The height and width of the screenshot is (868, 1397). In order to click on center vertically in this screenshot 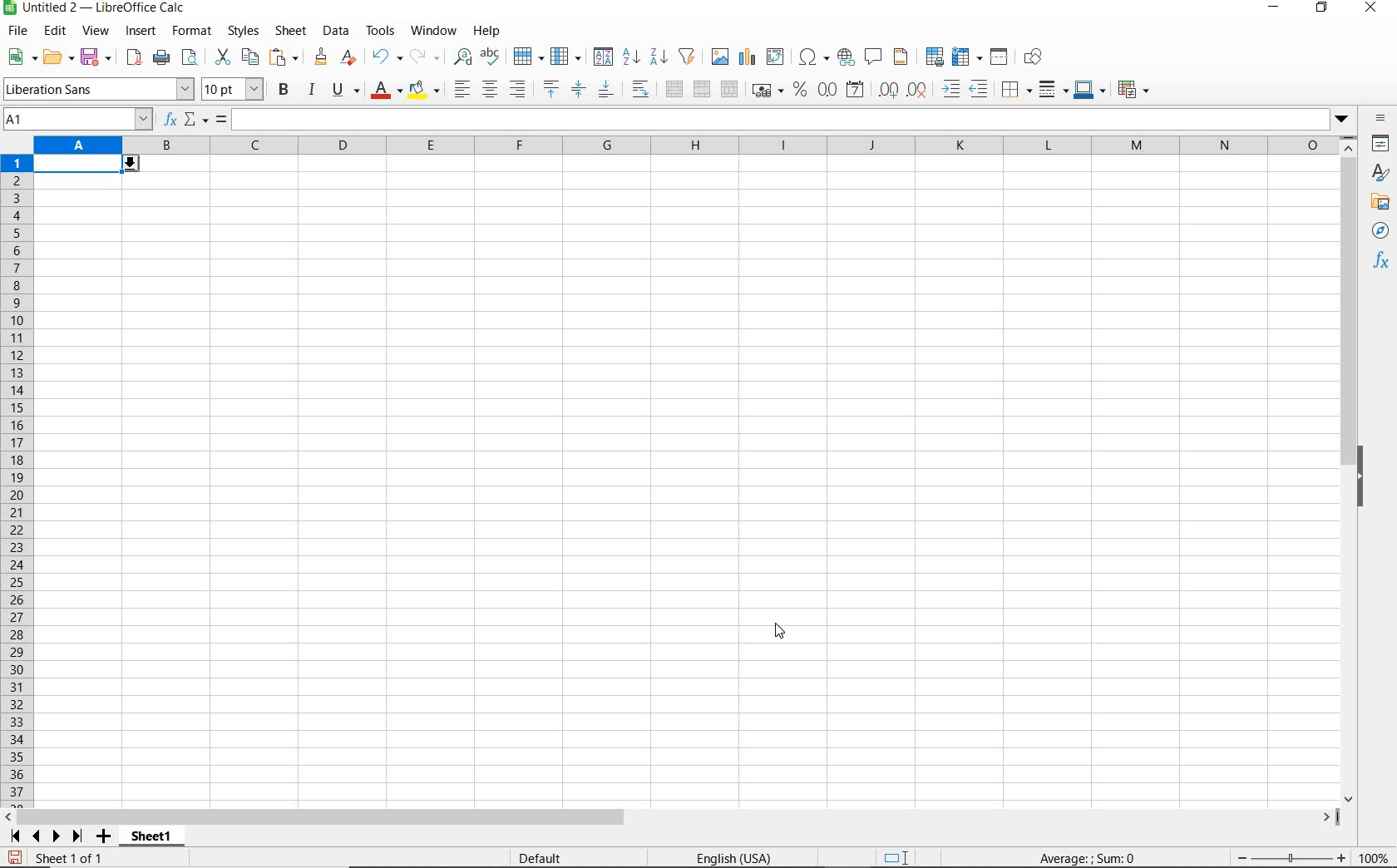, I will do `click(578, 90)`.